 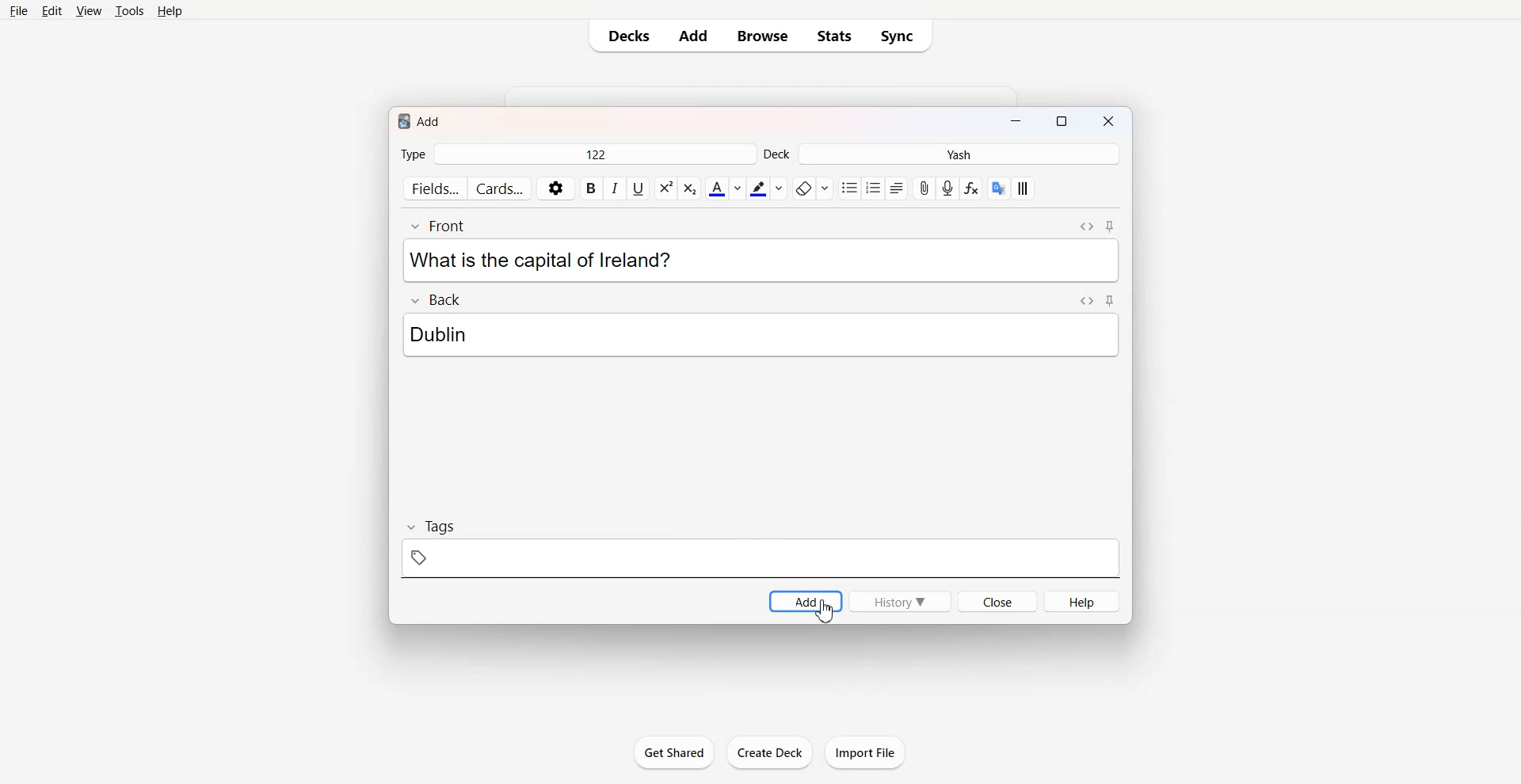 I want to click on Highlight Text Color, so click(x=767, y=188).